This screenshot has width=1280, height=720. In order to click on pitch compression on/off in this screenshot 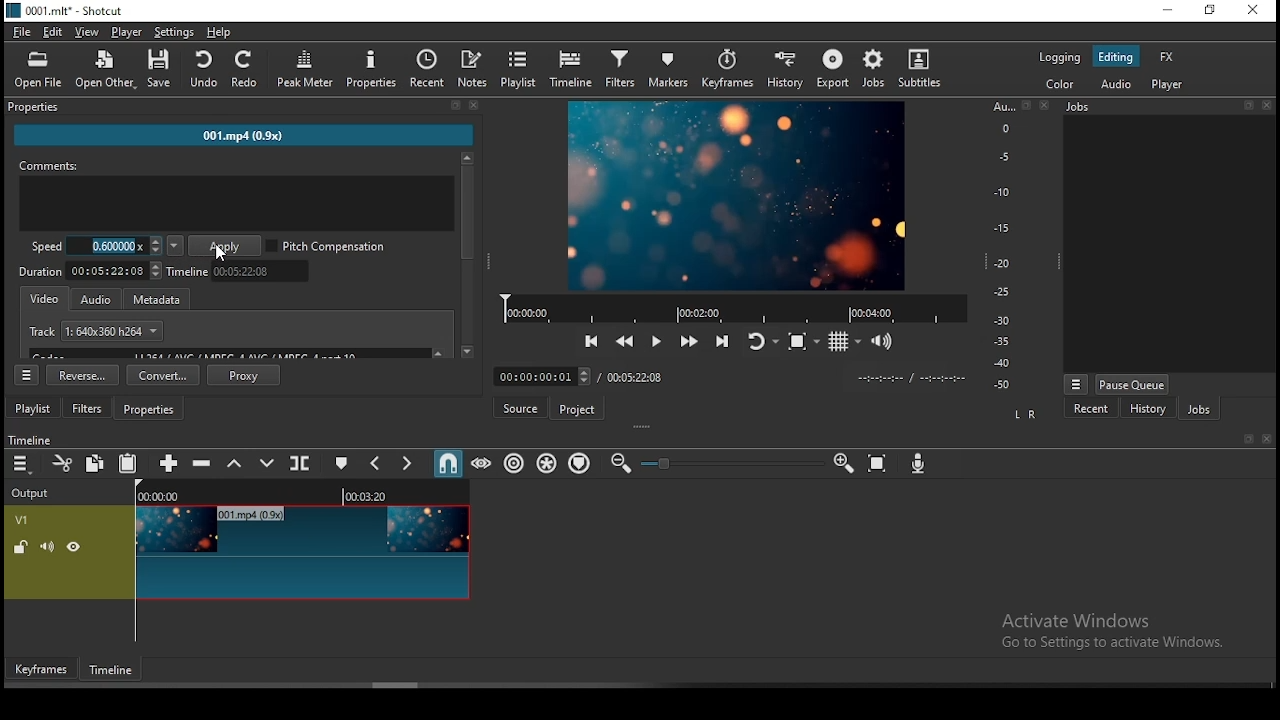, I will do `click(327, 246)`.